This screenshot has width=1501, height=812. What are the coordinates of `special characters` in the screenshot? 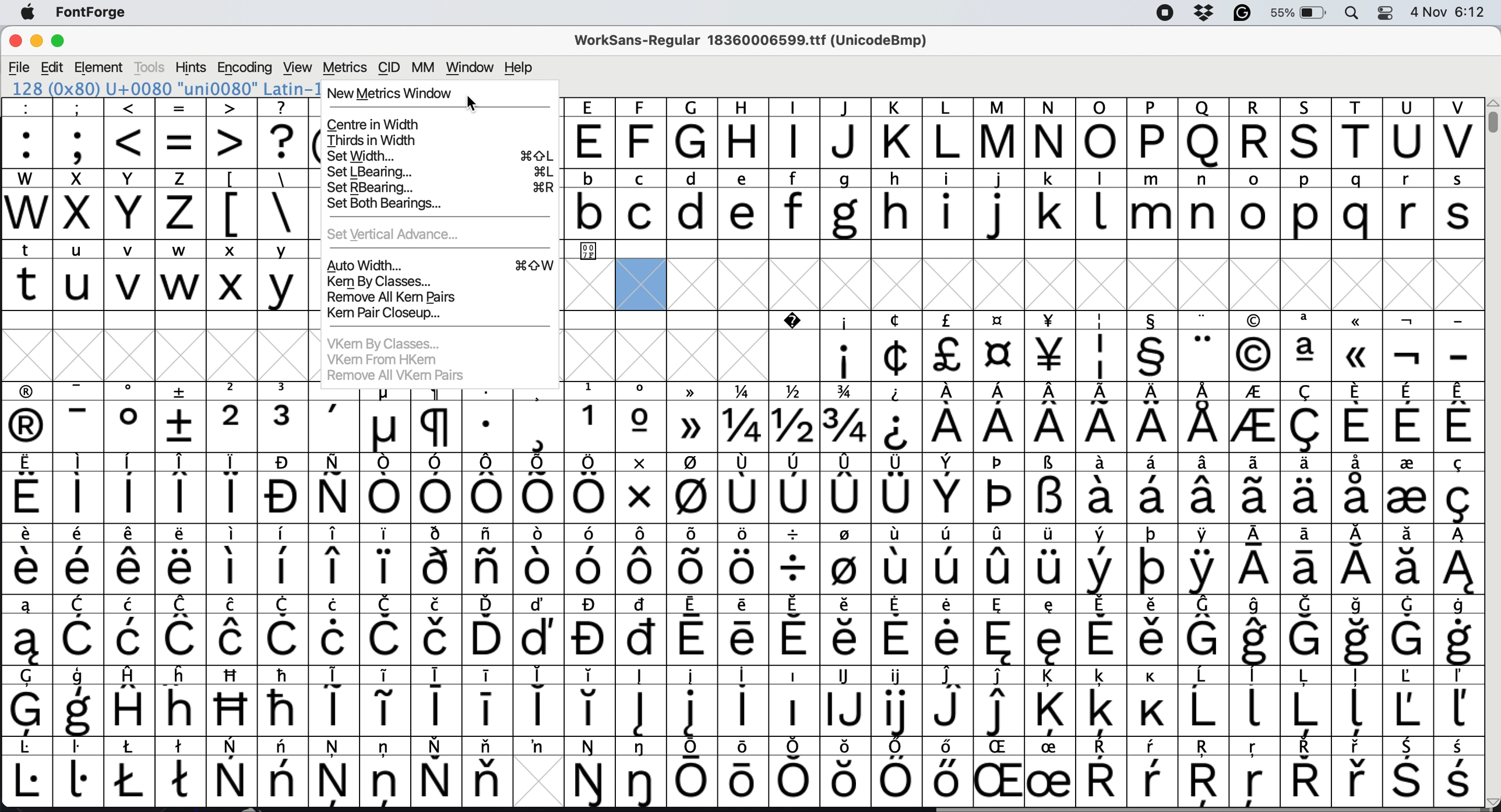 It's located at (261, 213).